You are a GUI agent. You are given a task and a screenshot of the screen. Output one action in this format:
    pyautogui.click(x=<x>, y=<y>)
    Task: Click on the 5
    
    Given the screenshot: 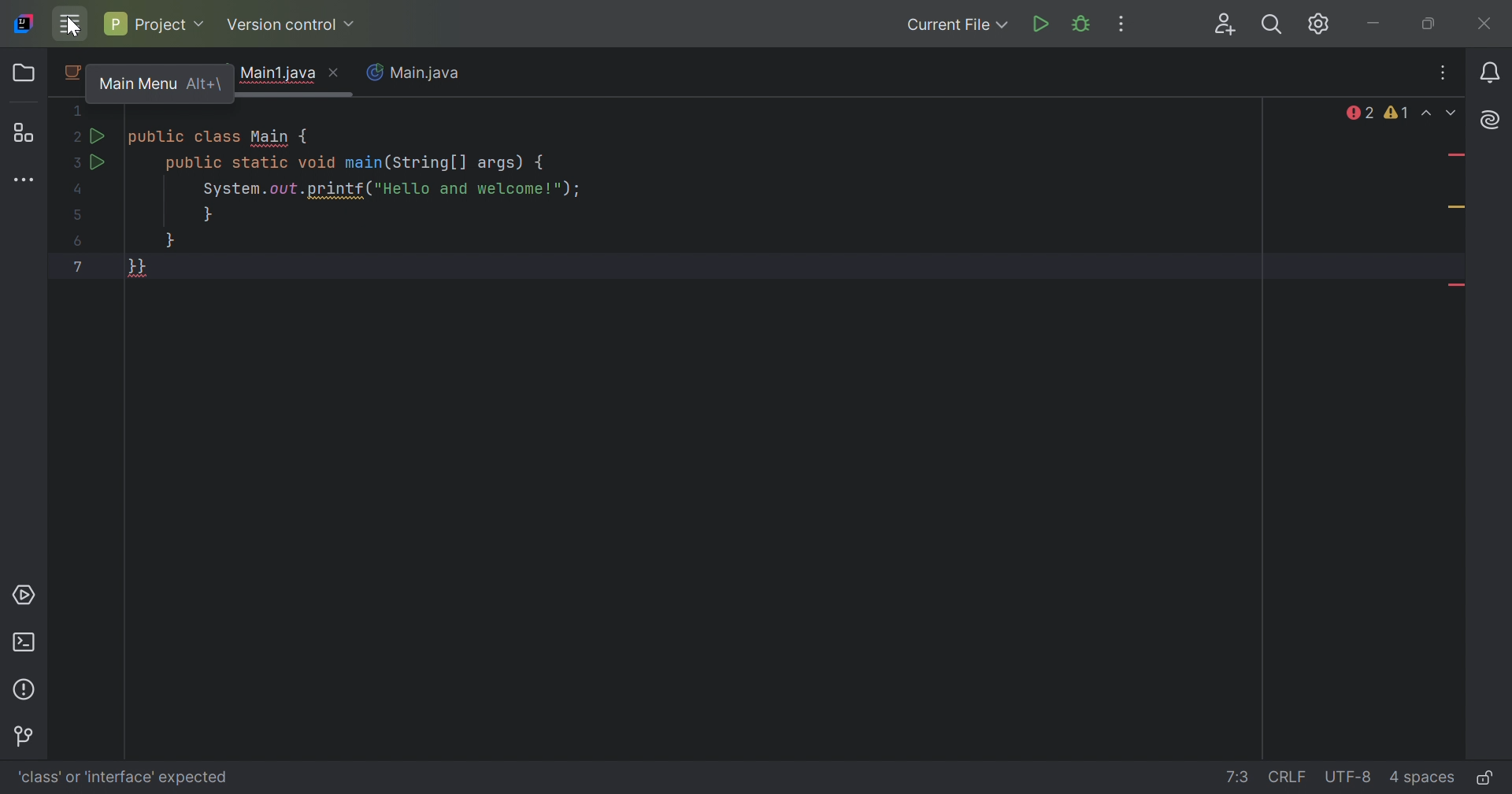 What is the action you would take?
    pyautogui.click(x=79, y=216)
    